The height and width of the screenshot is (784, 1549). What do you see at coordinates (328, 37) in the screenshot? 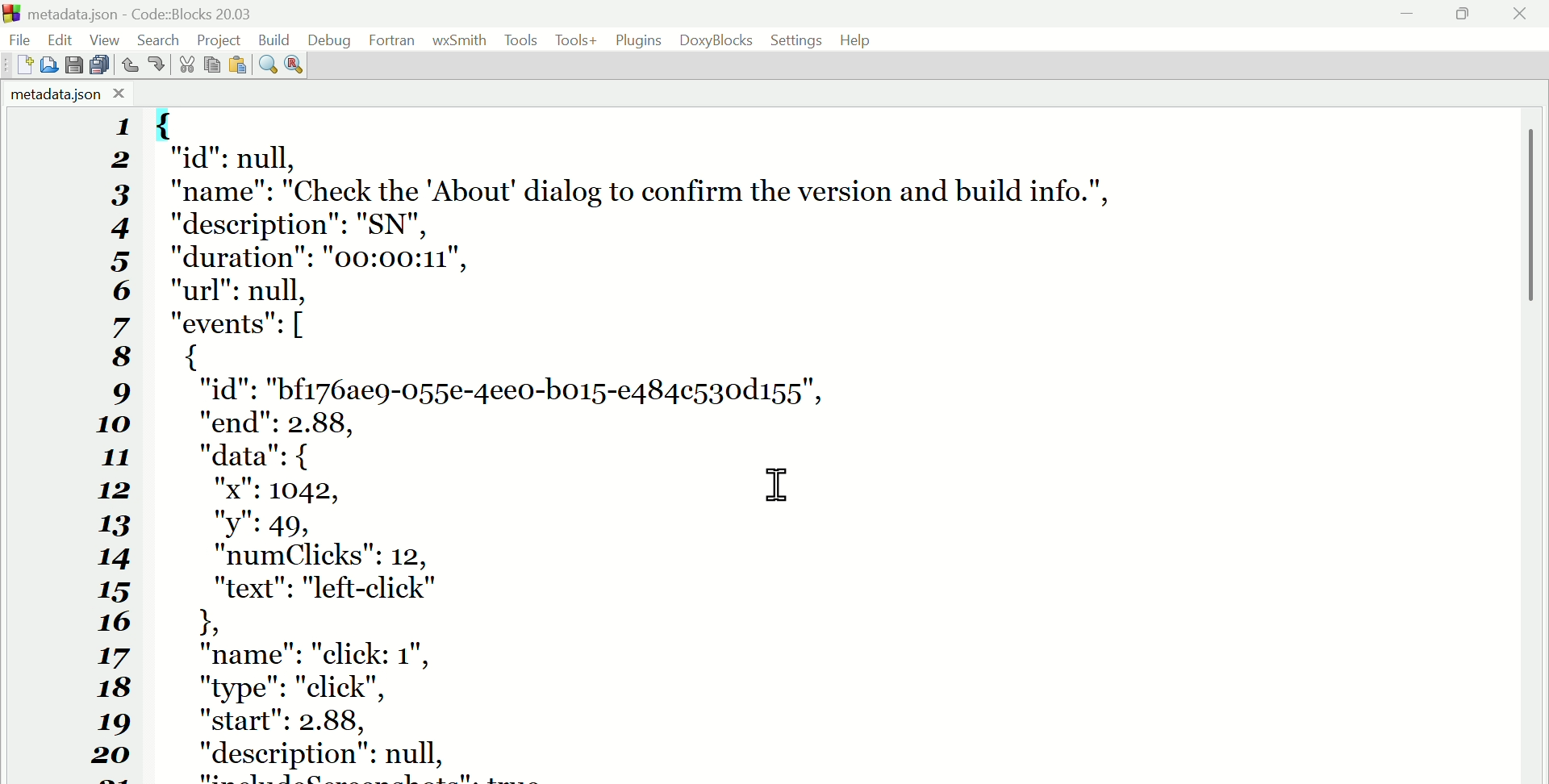
I see `Debug` at bounding box center [328, 37].